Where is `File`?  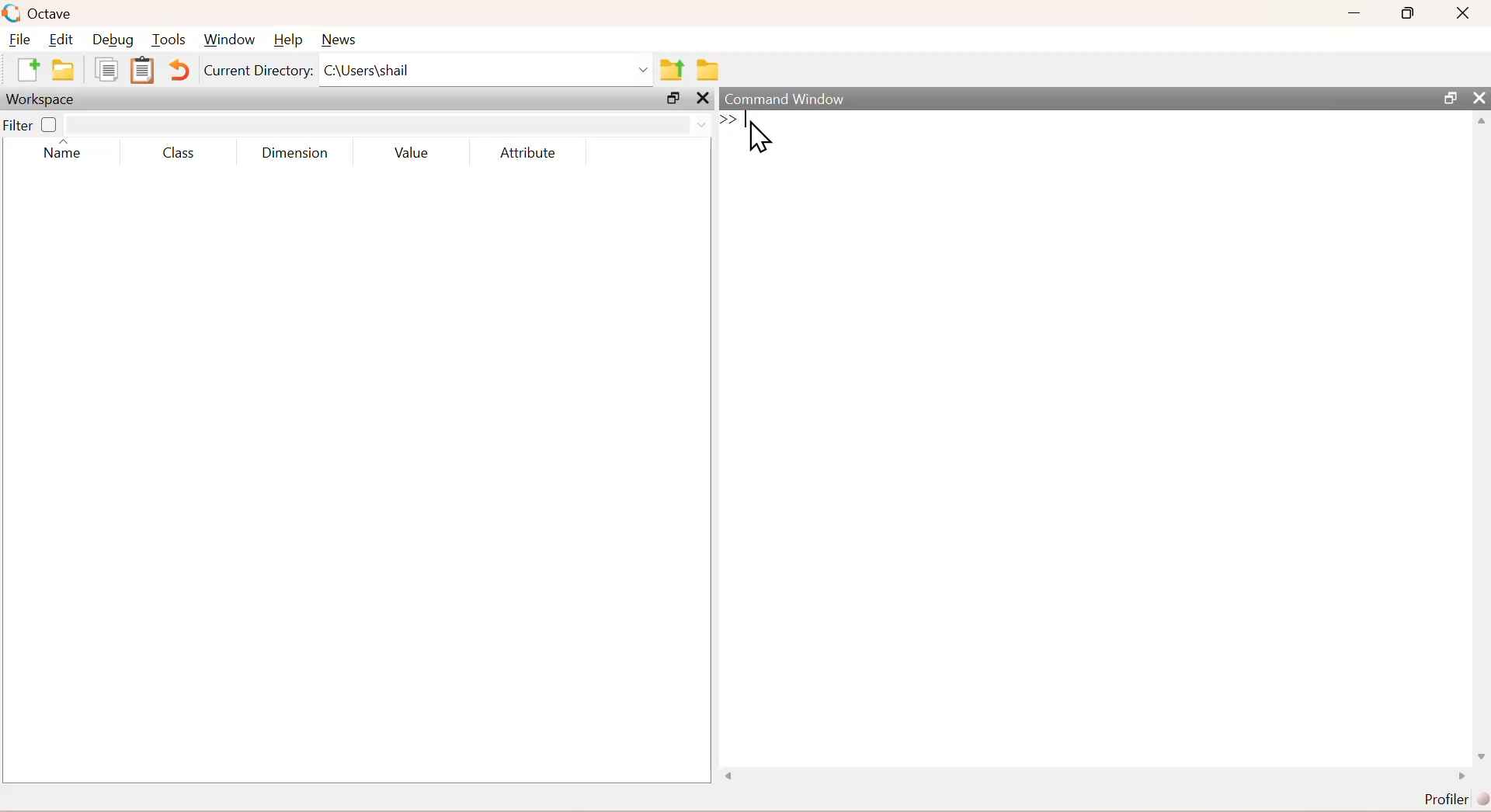 File is located at coordinates (22, 38).